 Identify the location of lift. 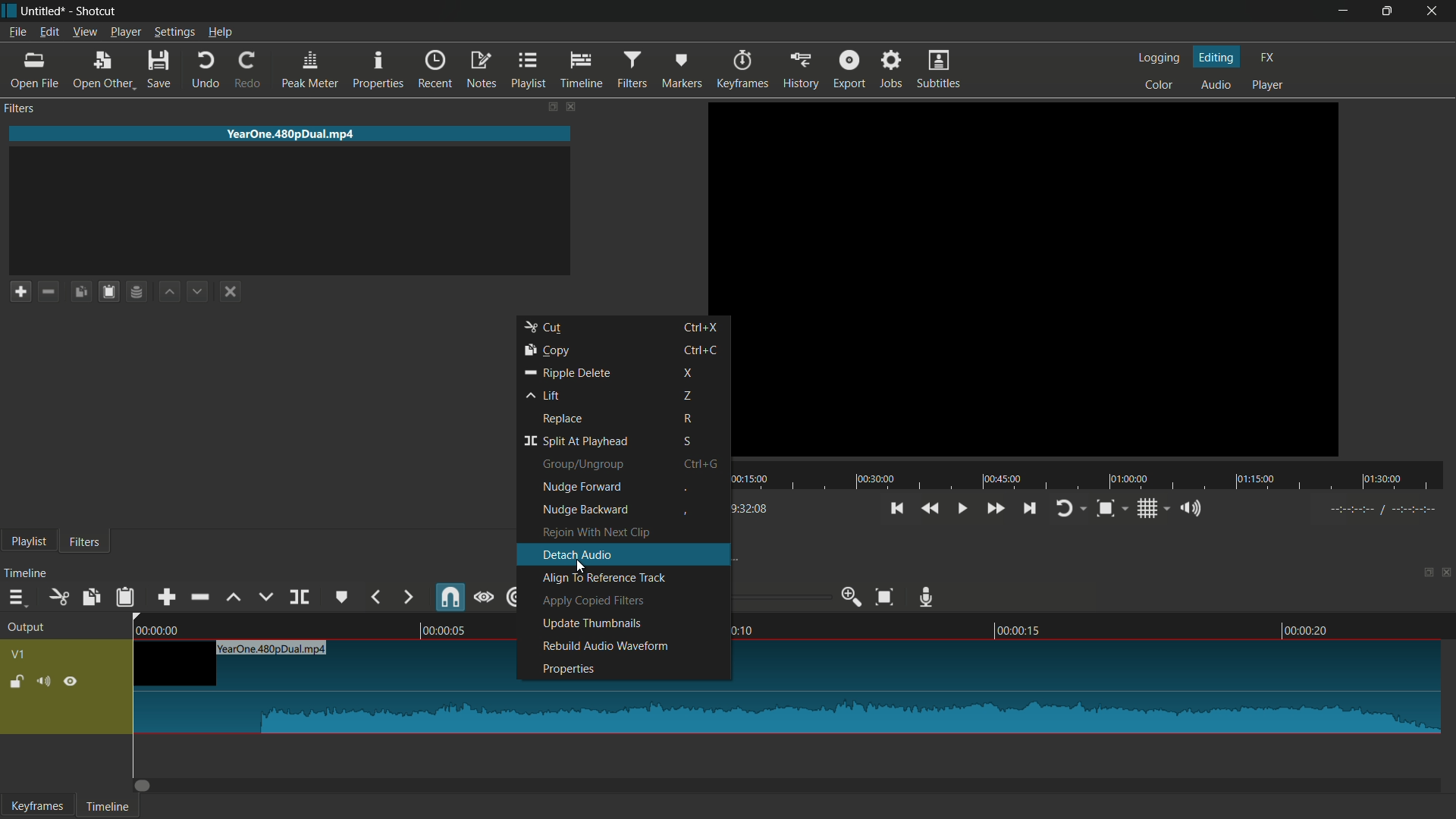
(544, 395).